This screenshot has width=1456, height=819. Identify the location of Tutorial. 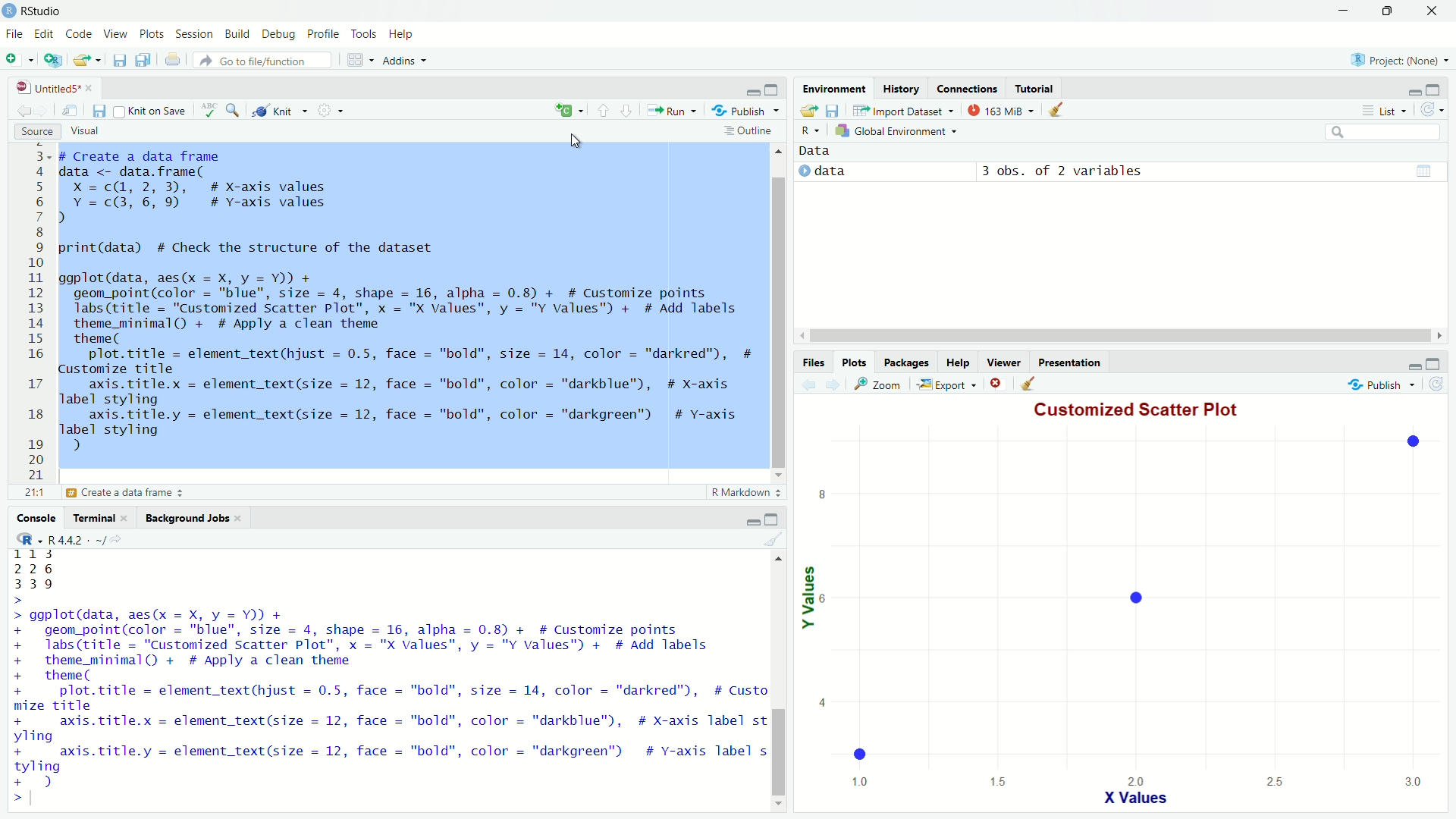
(1036, 90).